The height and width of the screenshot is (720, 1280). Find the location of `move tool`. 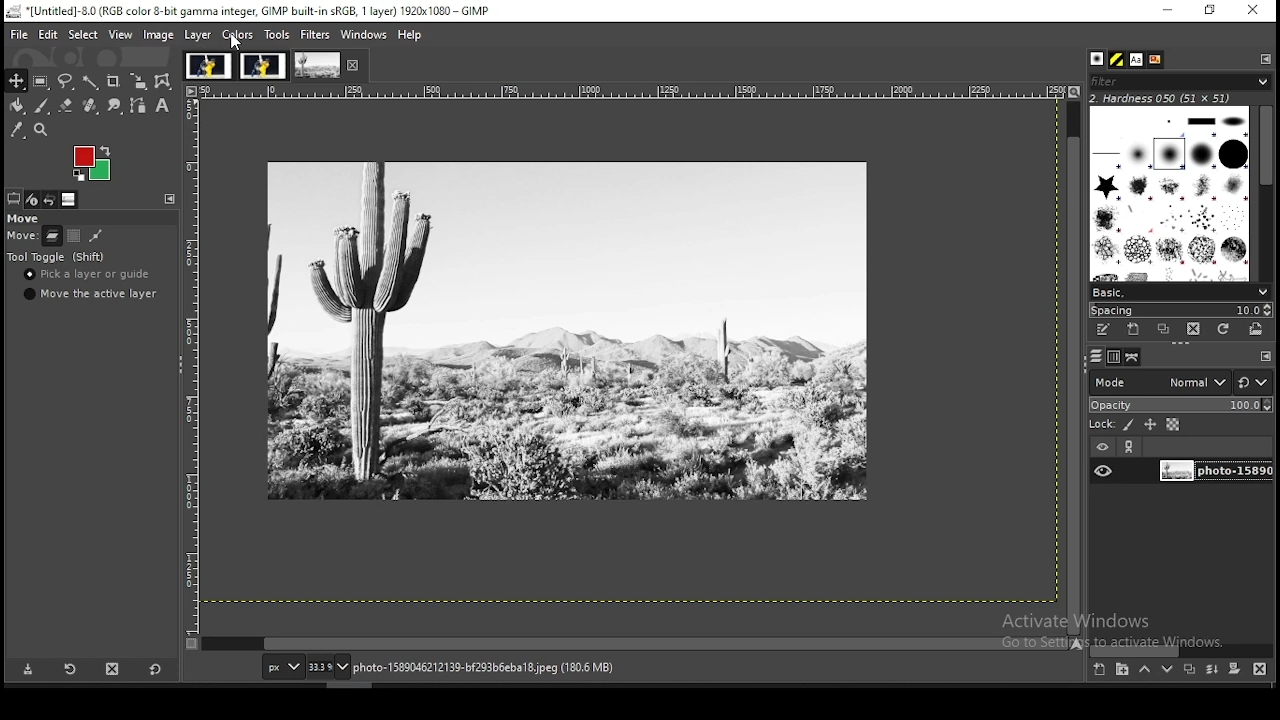

move tool is located at coordinates (15, 80).